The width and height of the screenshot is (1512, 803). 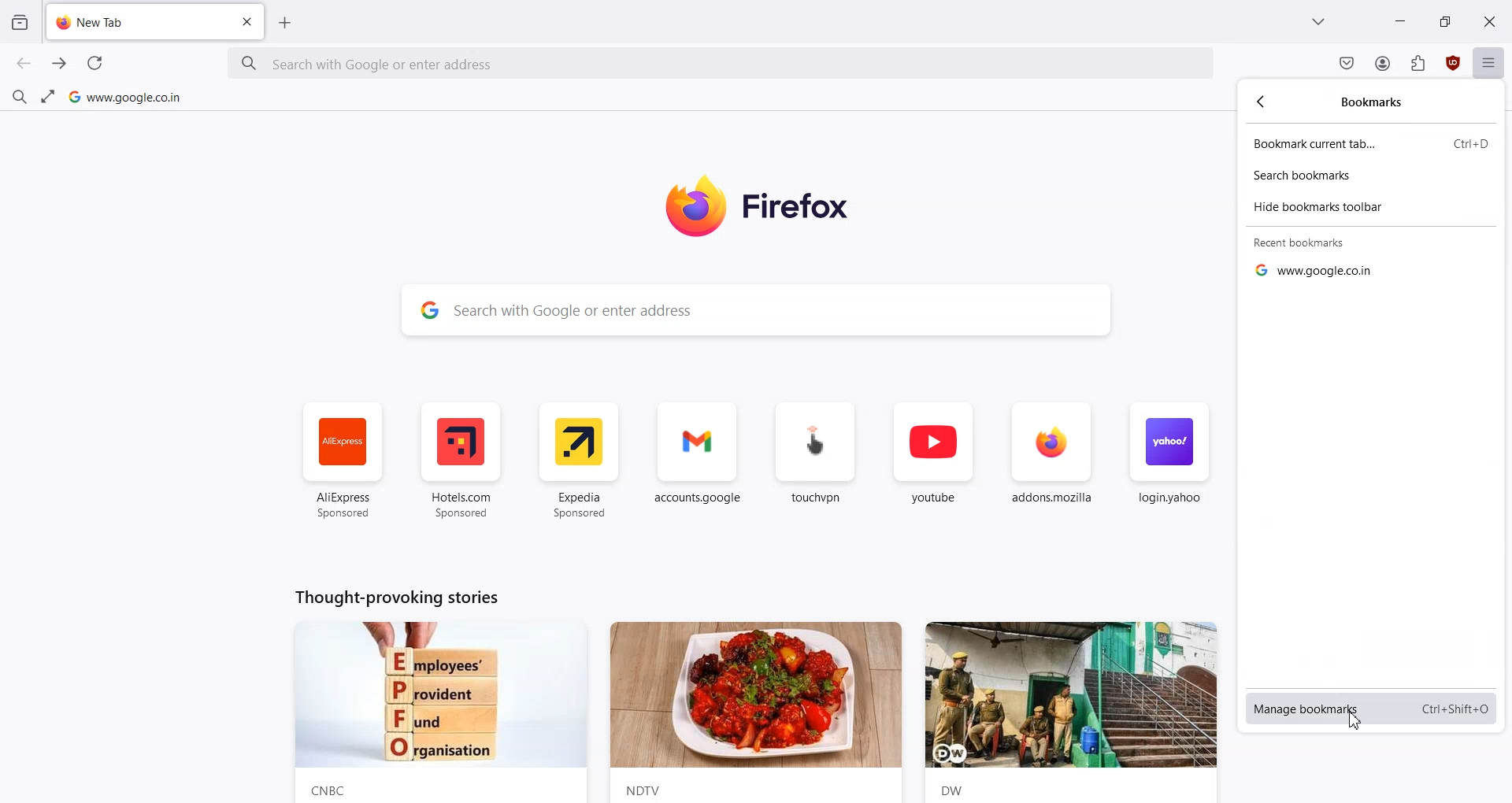 What do you see at coordinates (394, 596) in the screenshot?
I see `Text` at bounding box center [394, 596].